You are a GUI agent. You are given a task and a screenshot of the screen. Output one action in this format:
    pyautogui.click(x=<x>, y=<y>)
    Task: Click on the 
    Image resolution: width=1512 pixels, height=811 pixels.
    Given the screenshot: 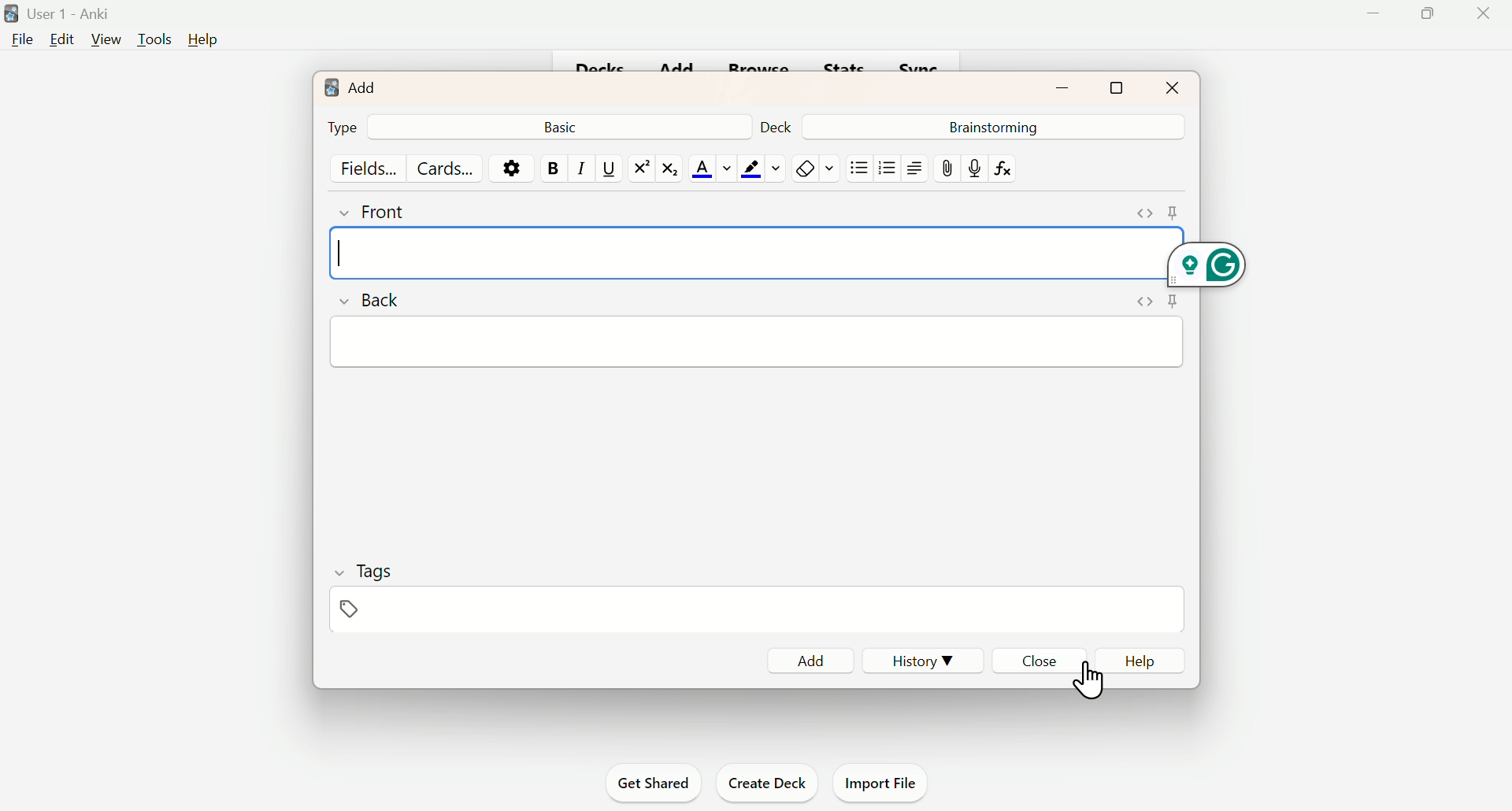 What is the action you would take?
    pyautogui.click(x=207, y=39)
    